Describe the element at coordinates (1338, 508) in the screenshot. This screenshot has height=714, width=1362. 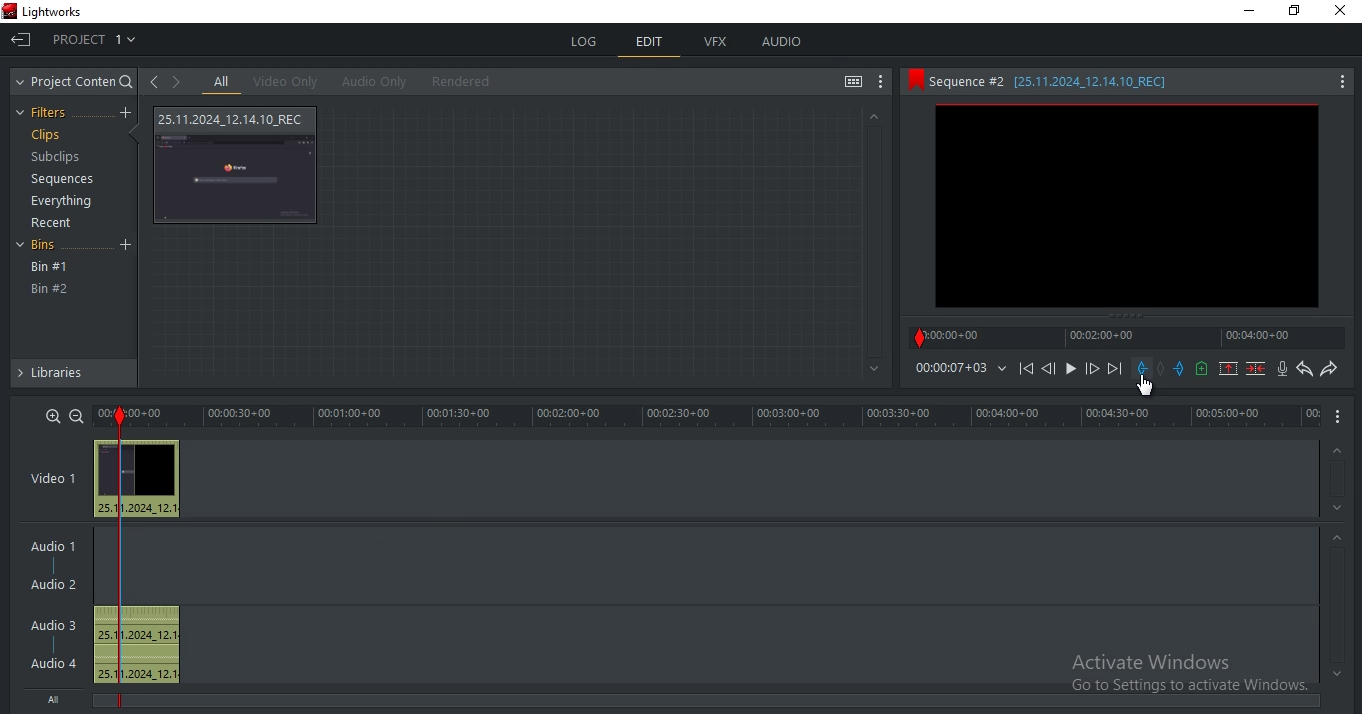
I see `Down` at that location.